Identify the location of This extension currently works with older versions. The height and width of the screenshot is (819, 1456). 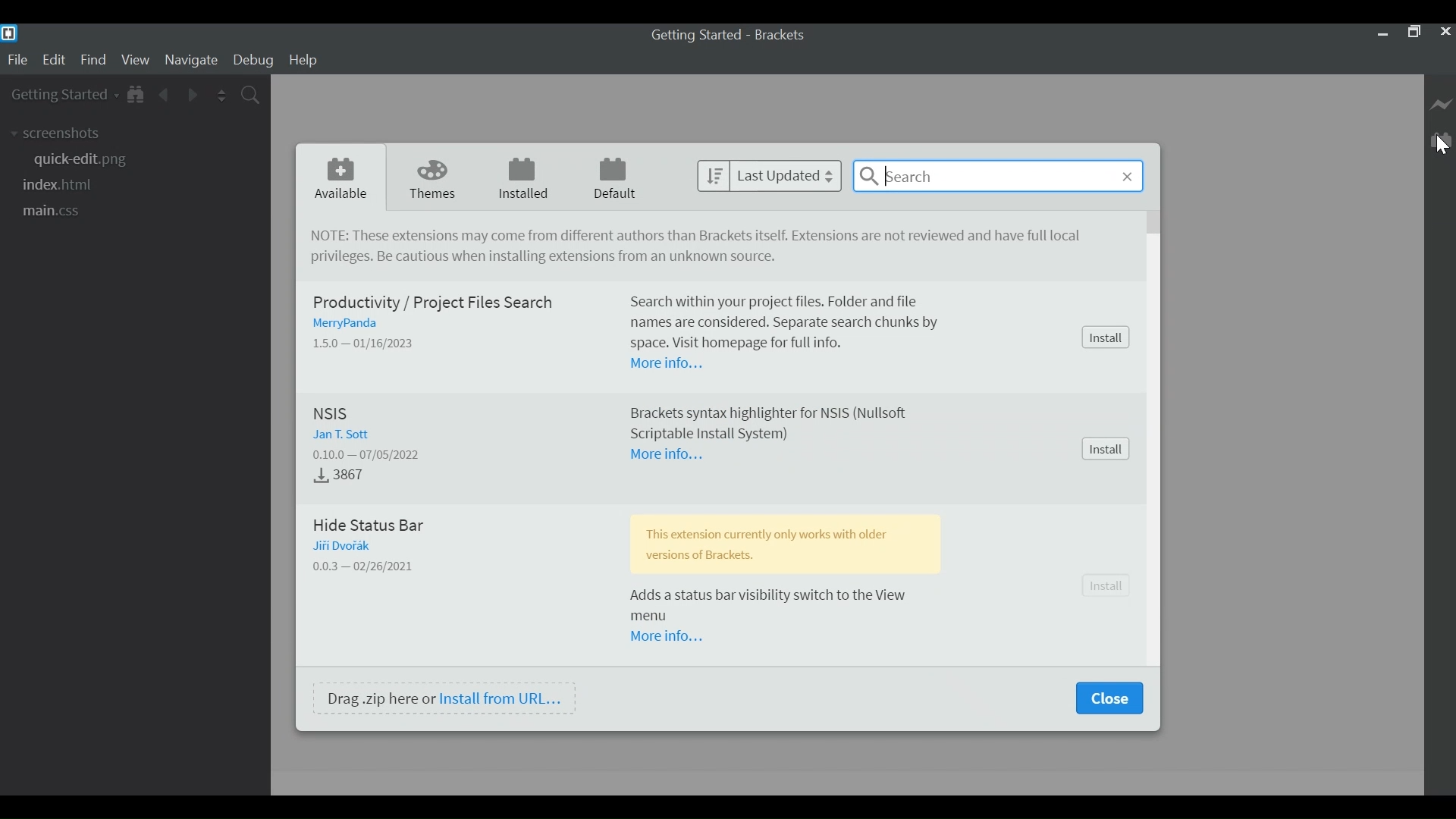
(784, 542).